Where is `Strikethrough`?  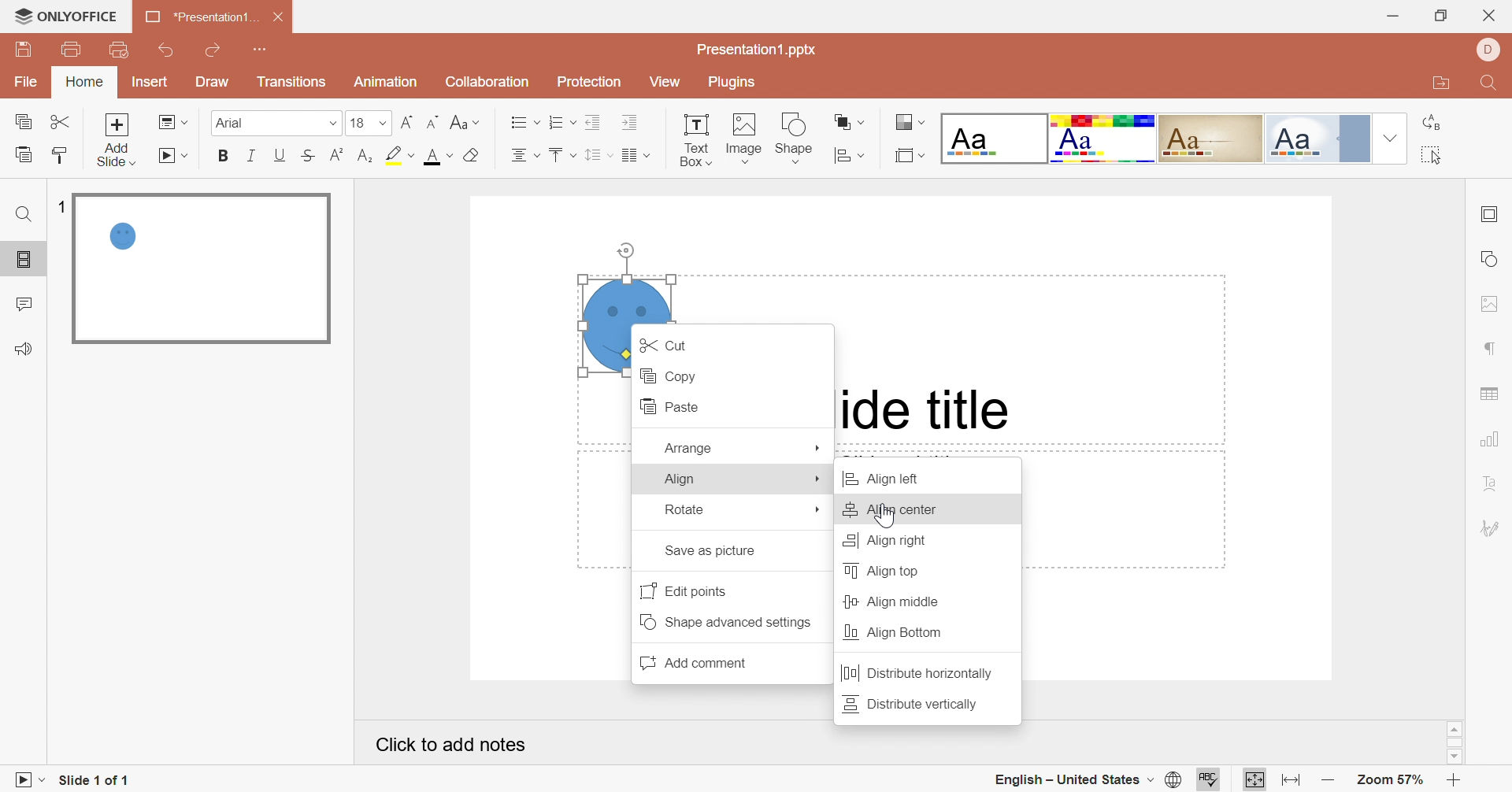
Strikethrough is located at coordinates (306, 156).